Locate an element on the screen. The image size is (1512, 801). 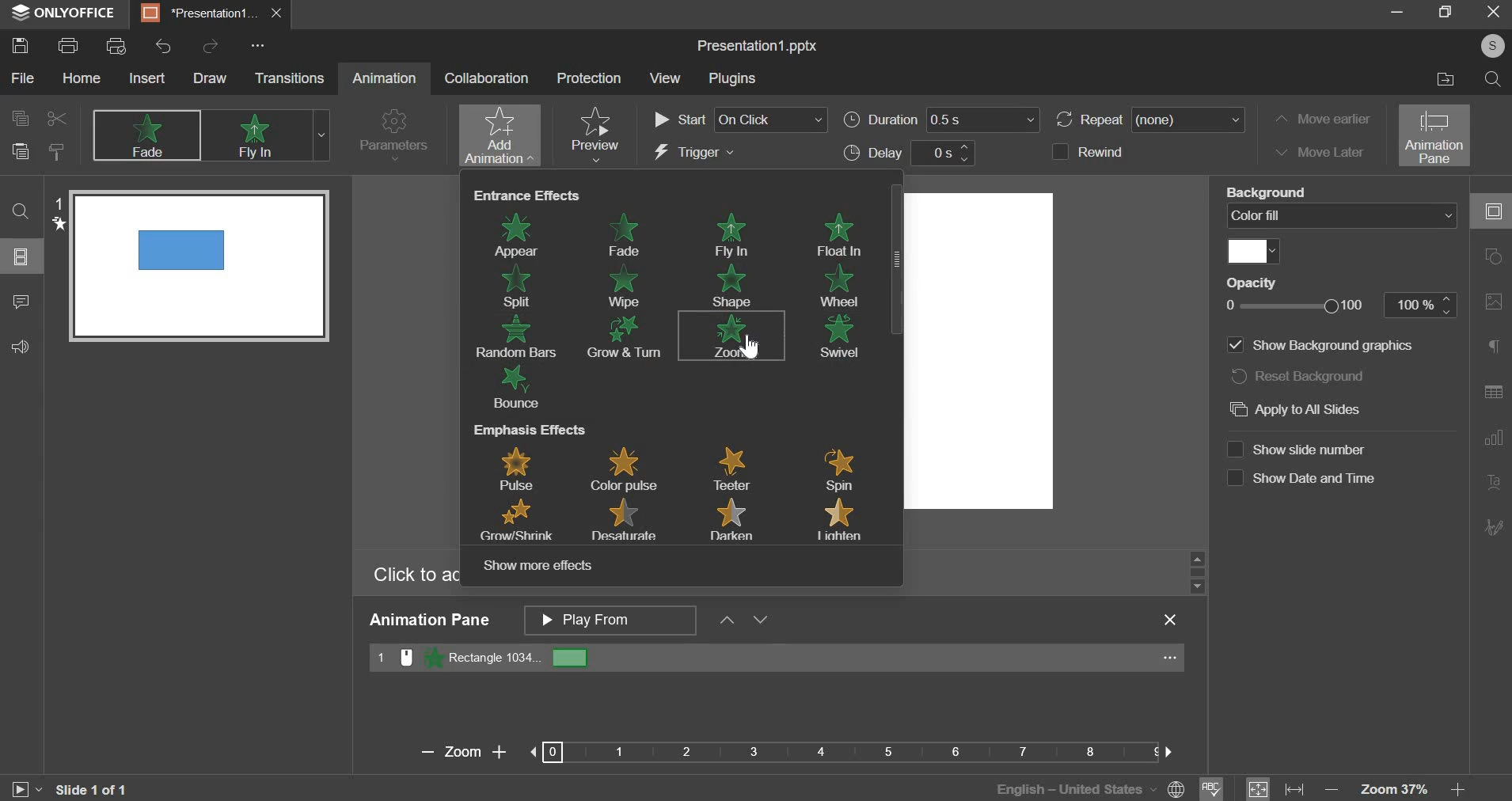
Cursor is located at coordinates (752, 347).